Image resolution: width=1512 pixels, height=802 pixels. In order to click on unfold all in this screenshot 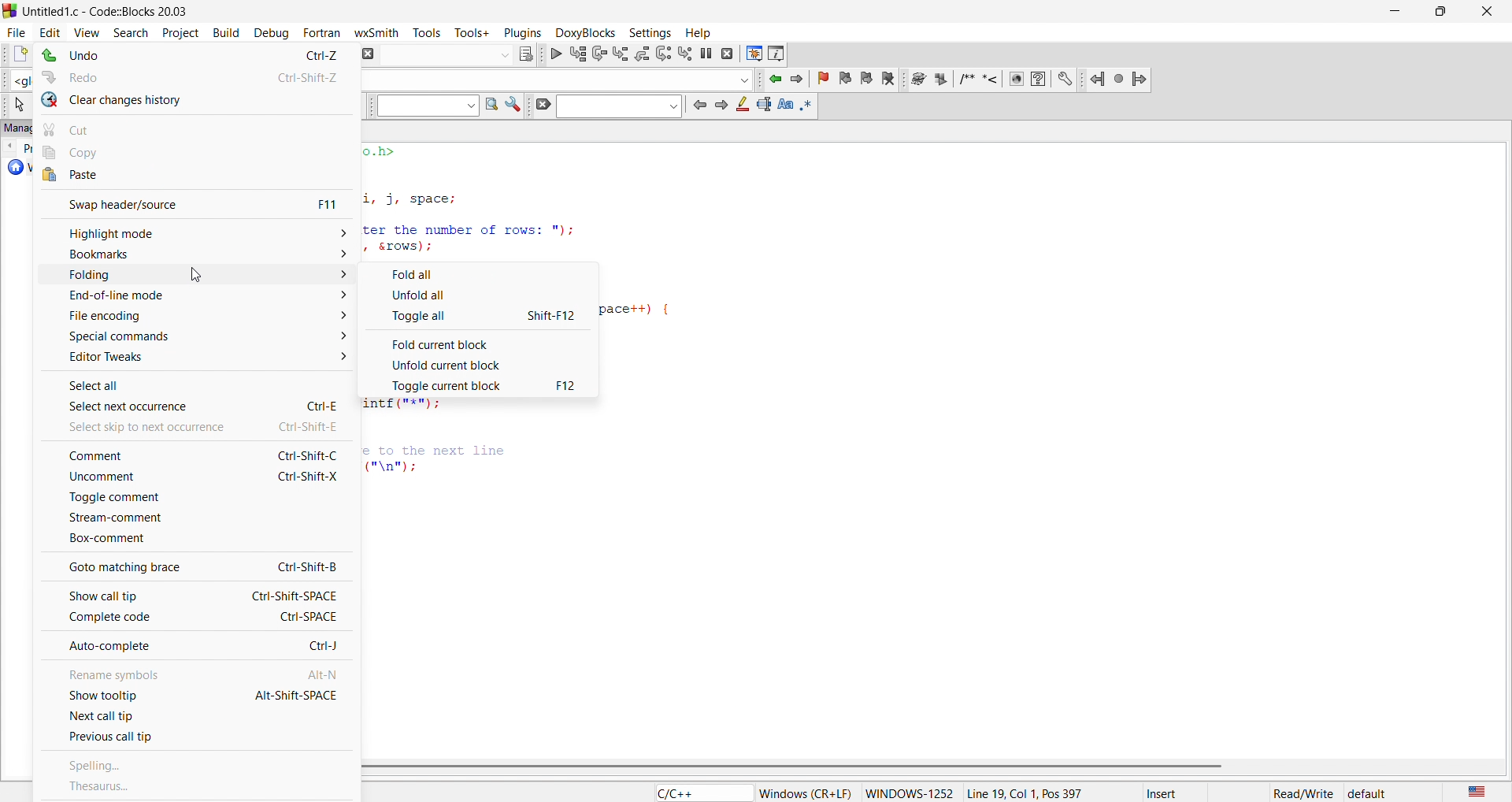, I will do `click(479, 295)`.